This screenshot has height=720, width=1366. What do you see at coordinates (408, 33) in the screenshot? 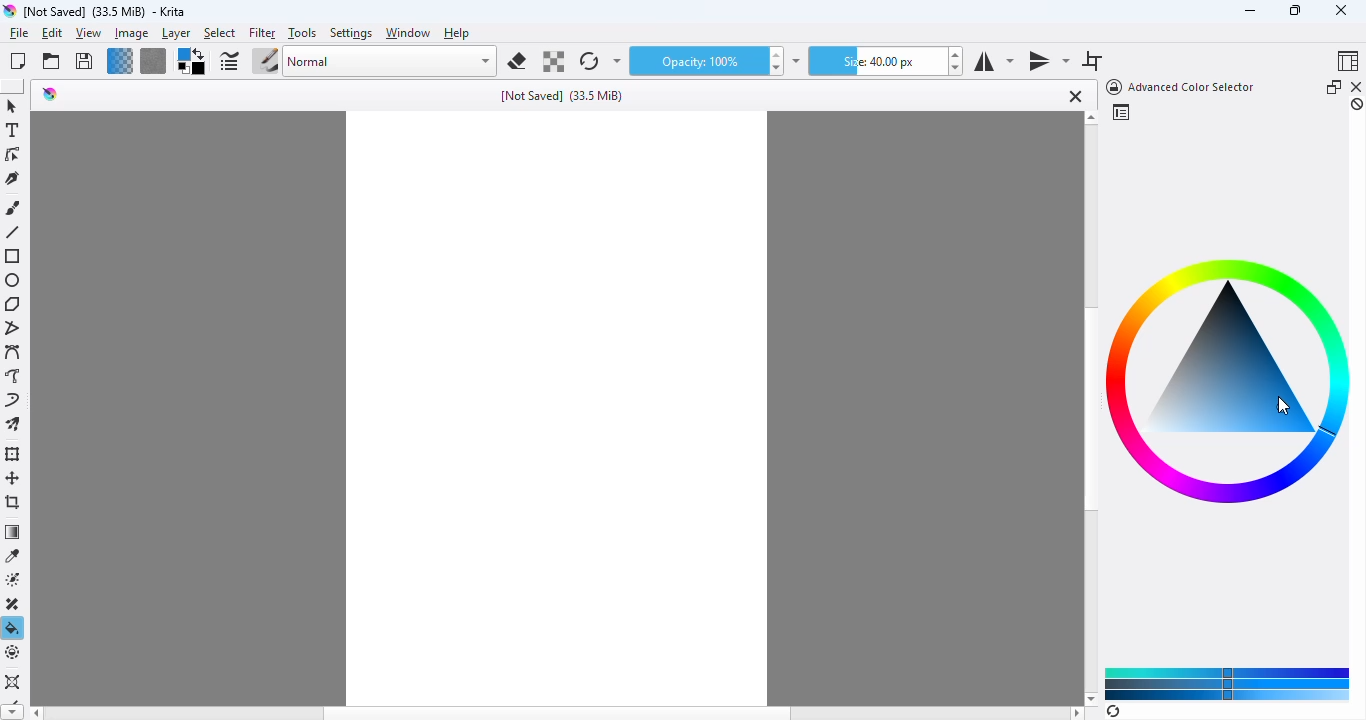
I see `window` at bounding box center [408, 33].